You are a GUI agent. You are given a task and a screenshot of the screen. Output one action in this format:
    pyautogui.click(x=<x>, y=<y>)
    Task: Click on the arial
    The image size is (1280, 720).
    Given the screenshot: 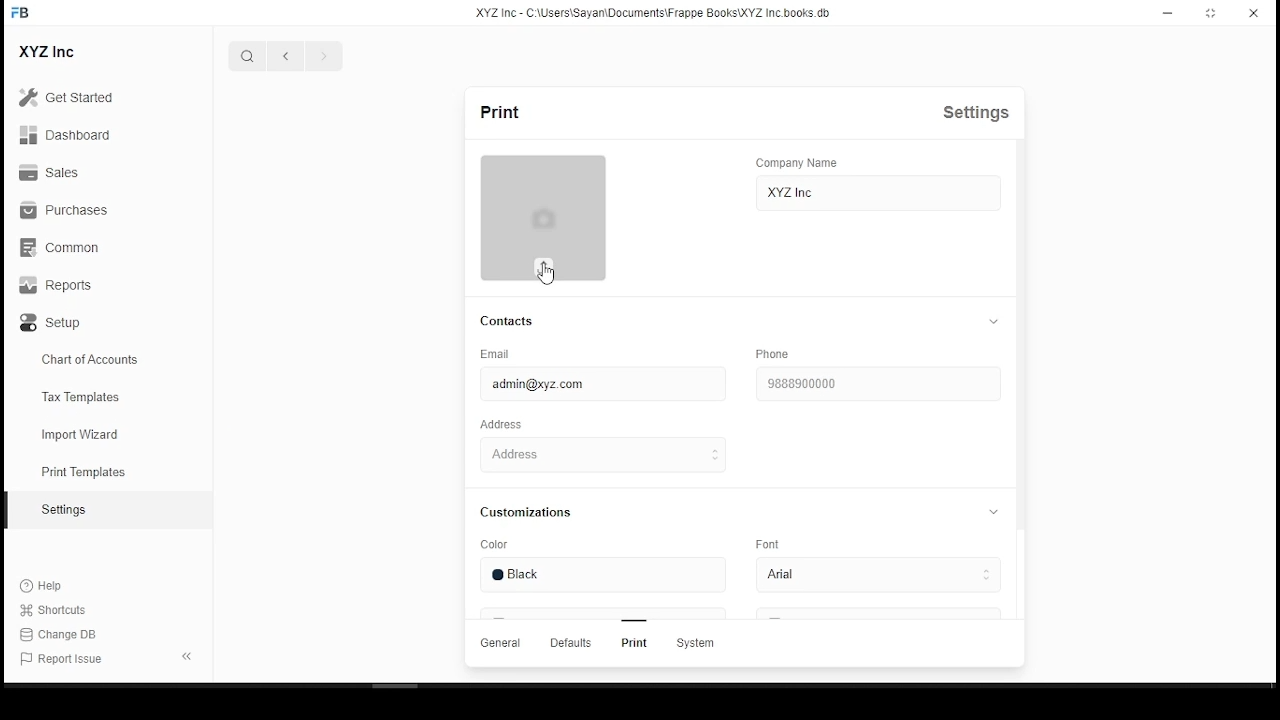 What is the action you would take?
    pyautogui.click(x=796, y=575)
    